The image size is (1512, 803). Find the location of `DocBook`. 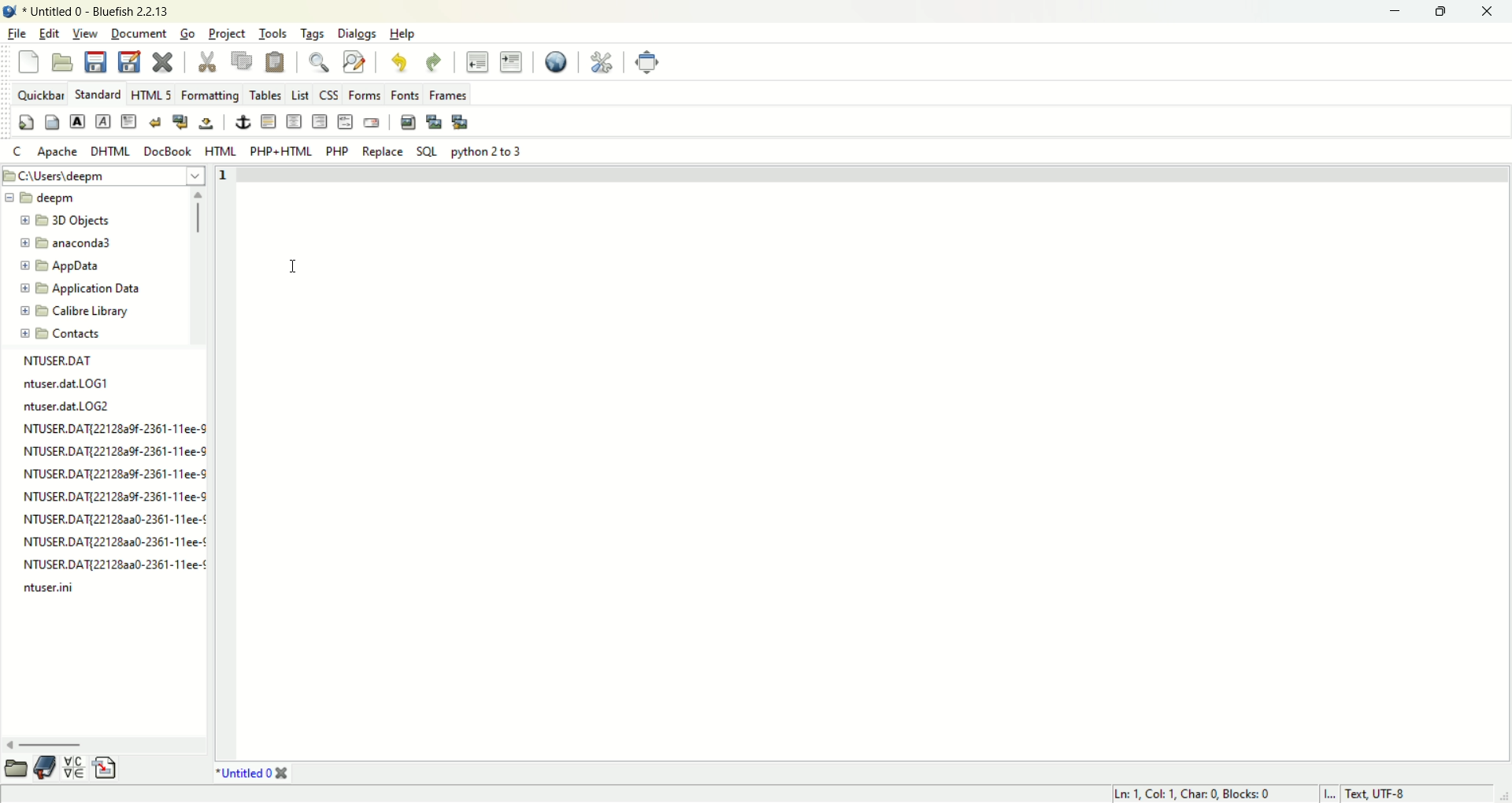

DocBook is located at coordinates (169, 154).